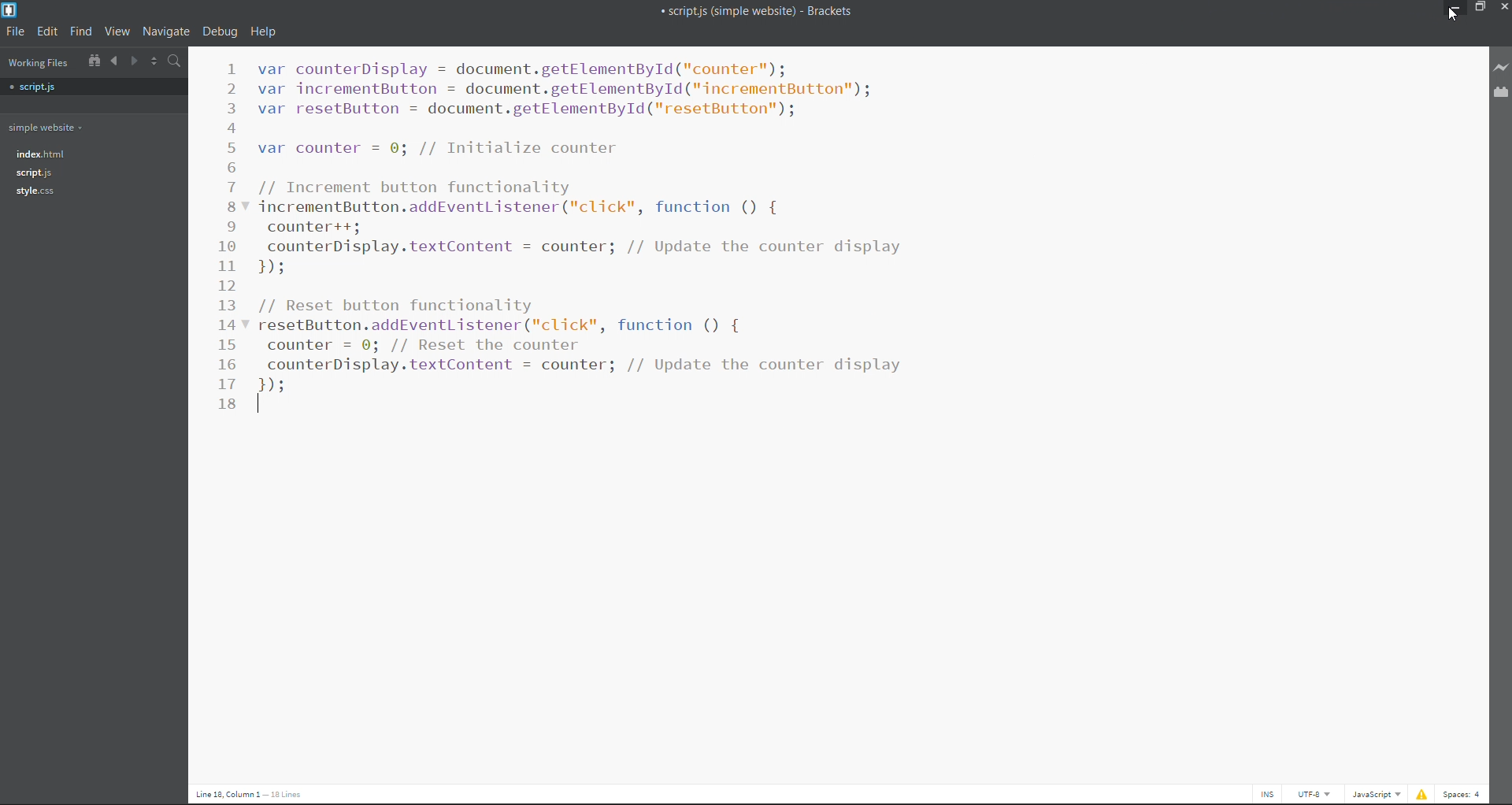 This screenshot has width=1512, height=805. Describe the element at coordinates (246, 792) in the screenshot. I see `Line 18, Column 1 — 18 Lines.` at that location.